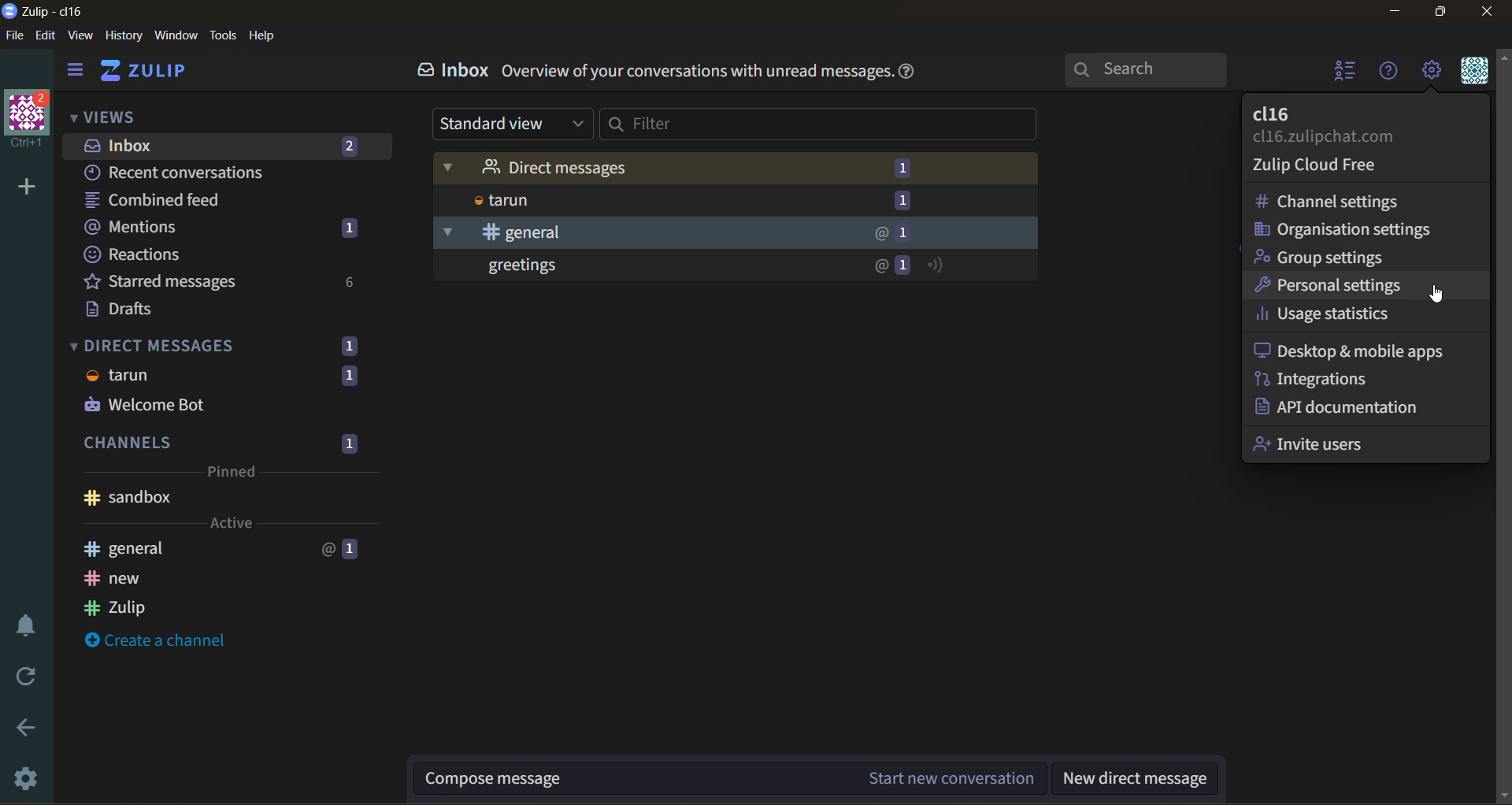 The image size is (1512, 805). Describe the element at coordinates (1325, 286) in the screenshot. I see `personal settings` at that location.